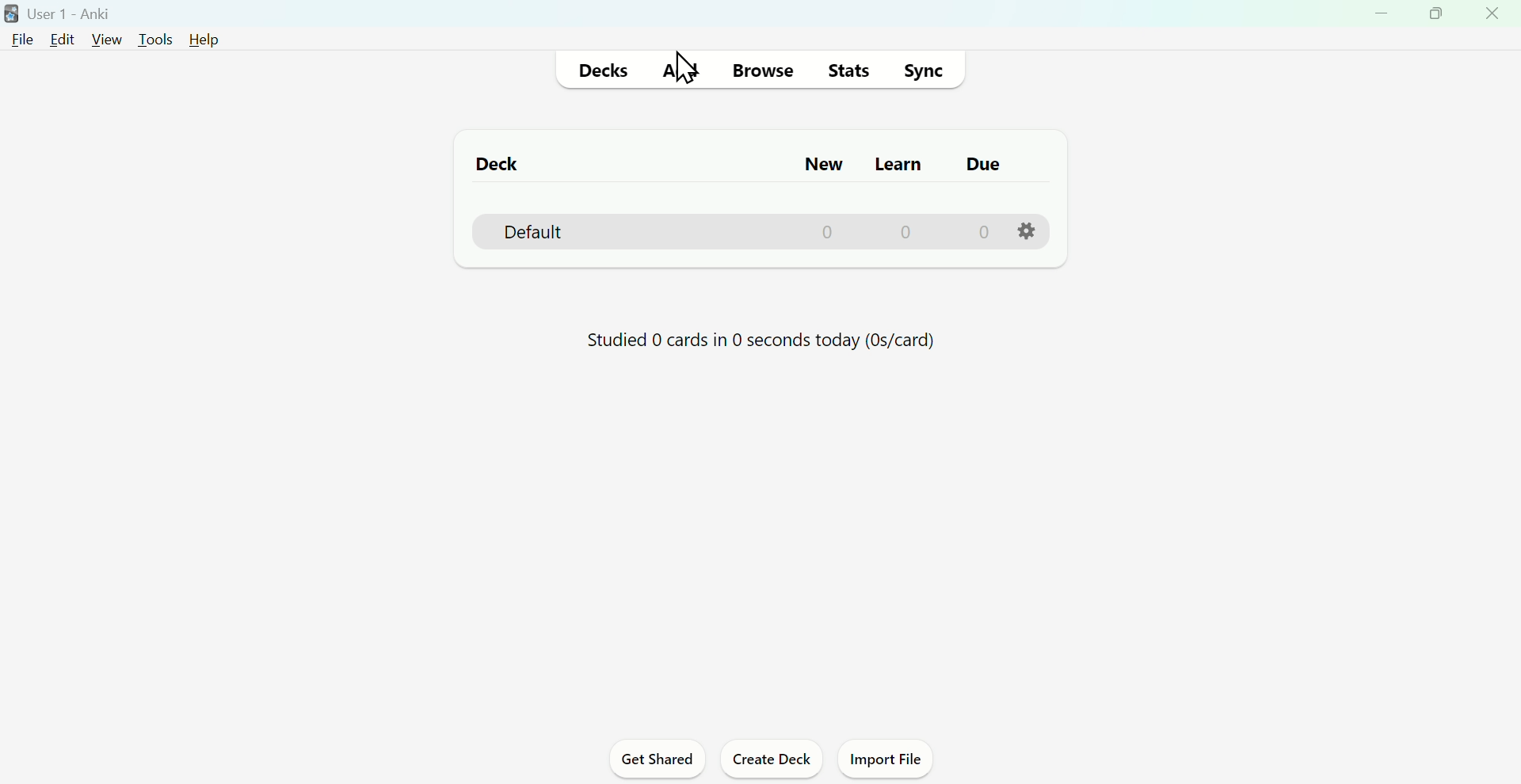 Image resolution: width=1521 pixels, height=784 pixels. What do you see at coordinates (157, 39) in the screenshot?
I see `Tools` at bounding box center [157, 39].